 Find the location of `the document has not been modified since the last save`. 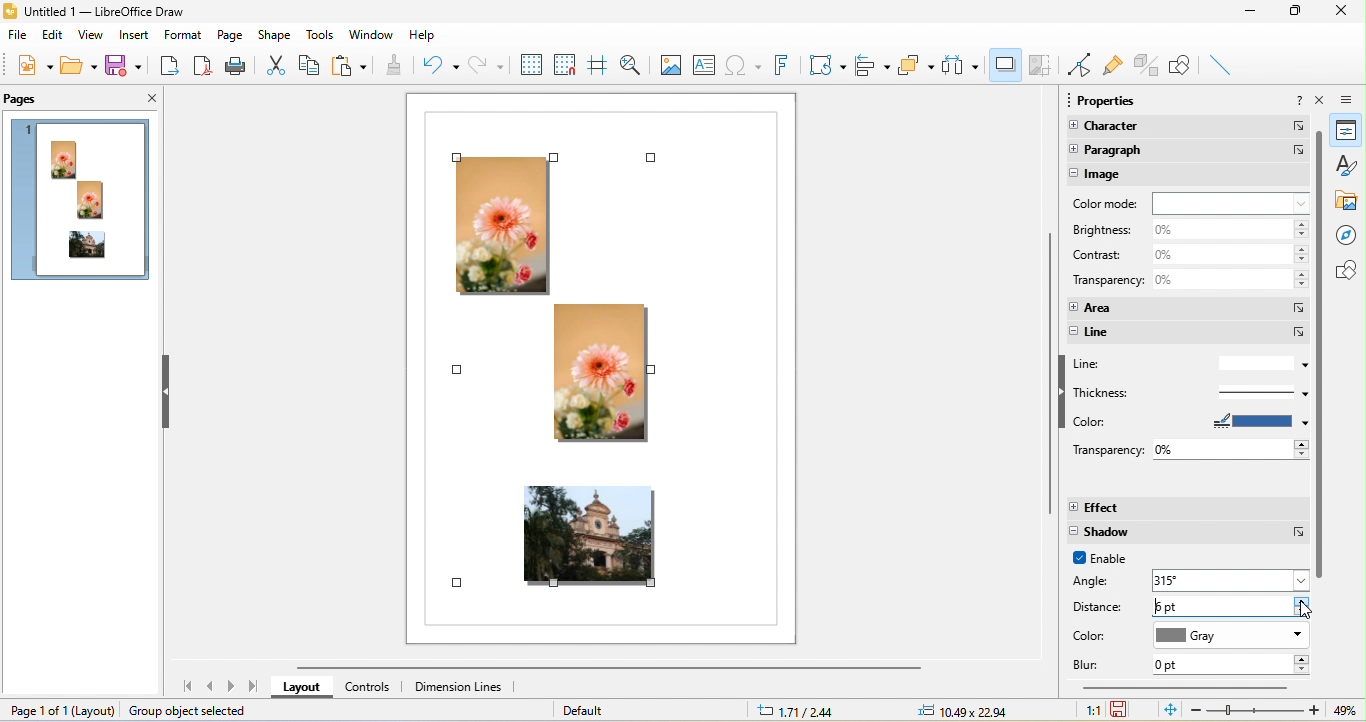

the document has not been modified since the last save is located at coordinates (1126, 709).